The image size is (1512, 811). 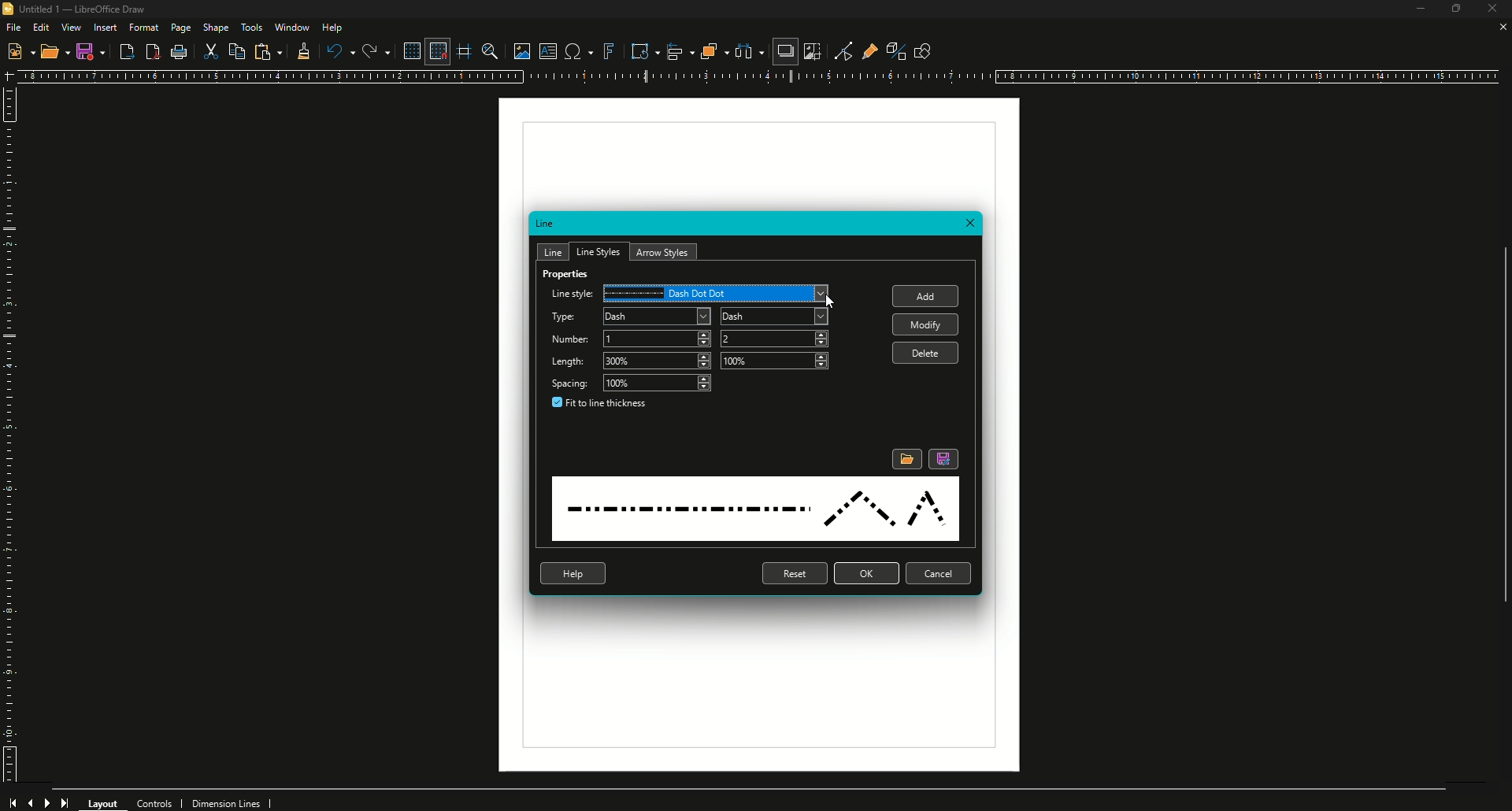 What do you see at coordinates (570, 340) in the screenshot?
I see `Number` at bounding box center [570, 340].